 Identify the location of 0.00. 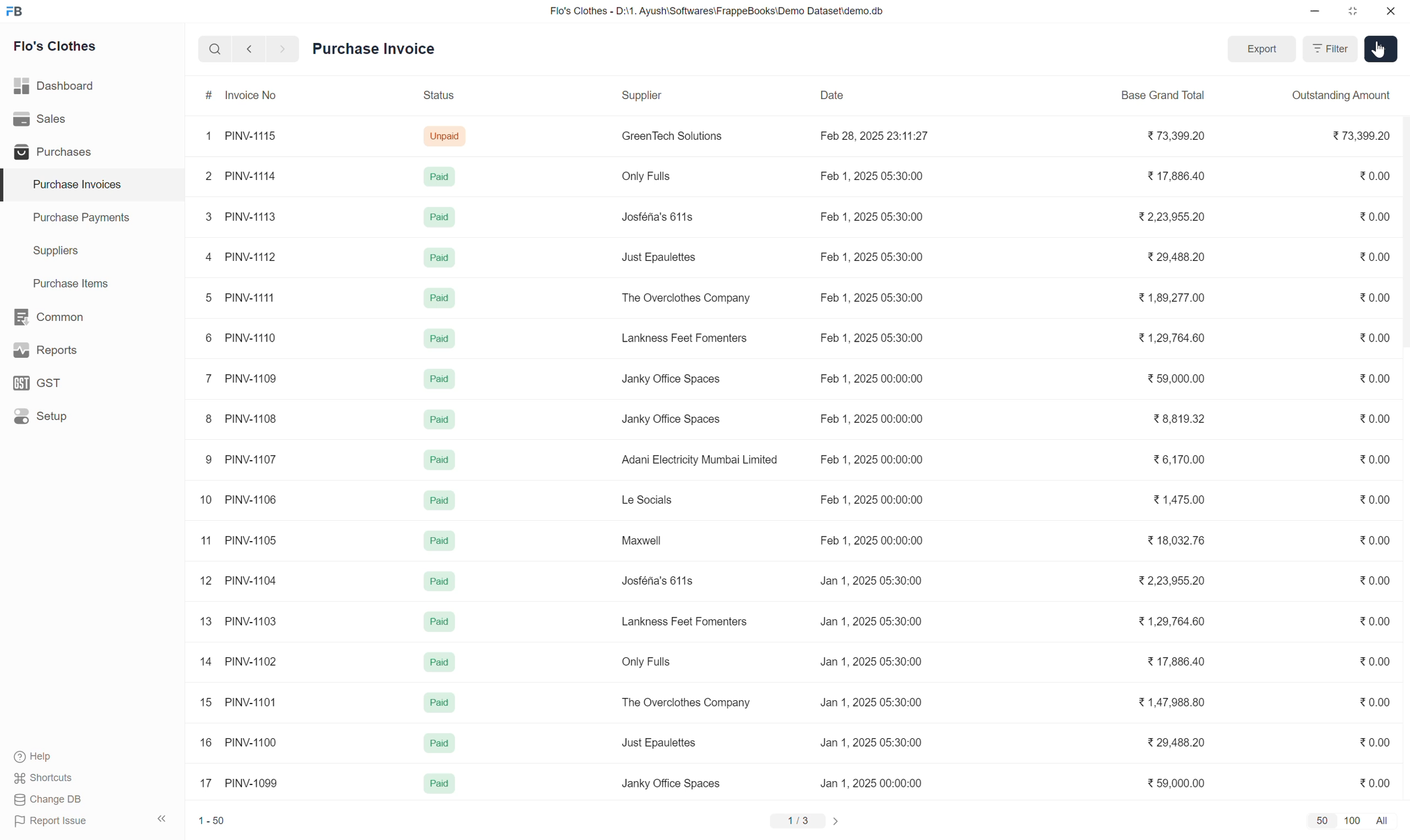
(1377, 298).